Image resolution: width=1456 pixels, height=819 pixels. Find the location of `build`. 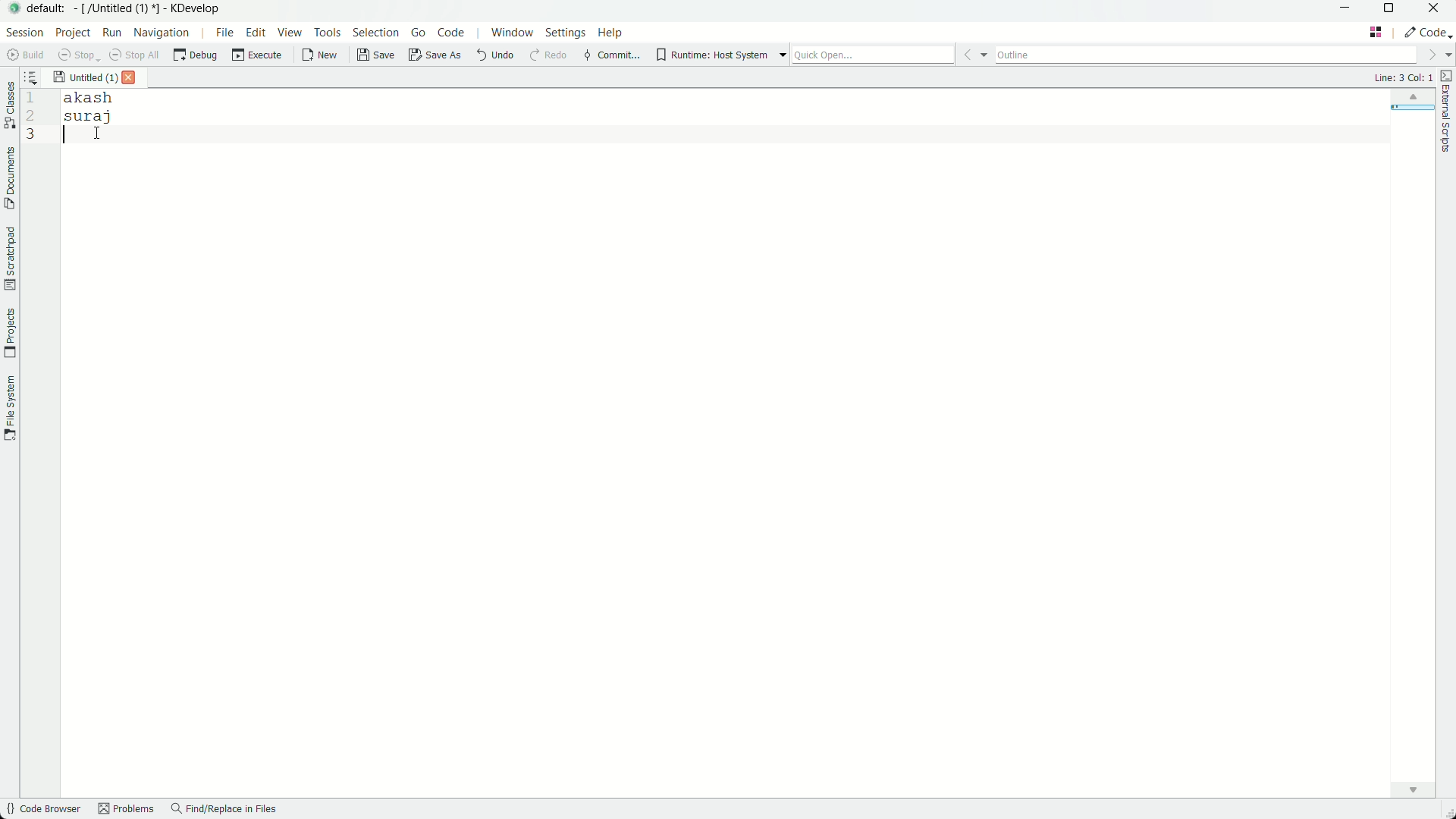

build is located at coordinates (23, 55).